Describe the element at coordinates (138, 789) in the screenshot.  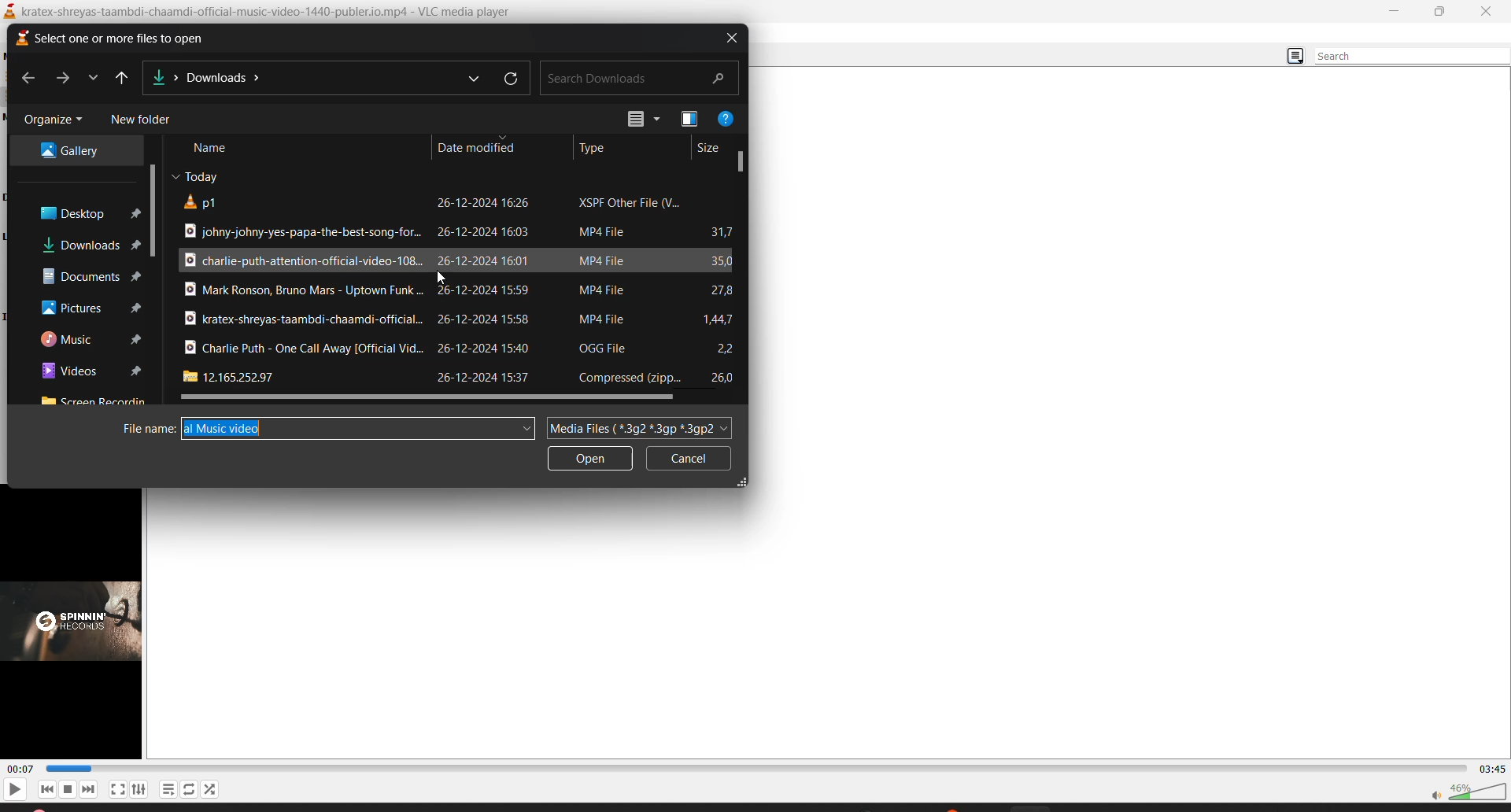
I see `settings` at that location.